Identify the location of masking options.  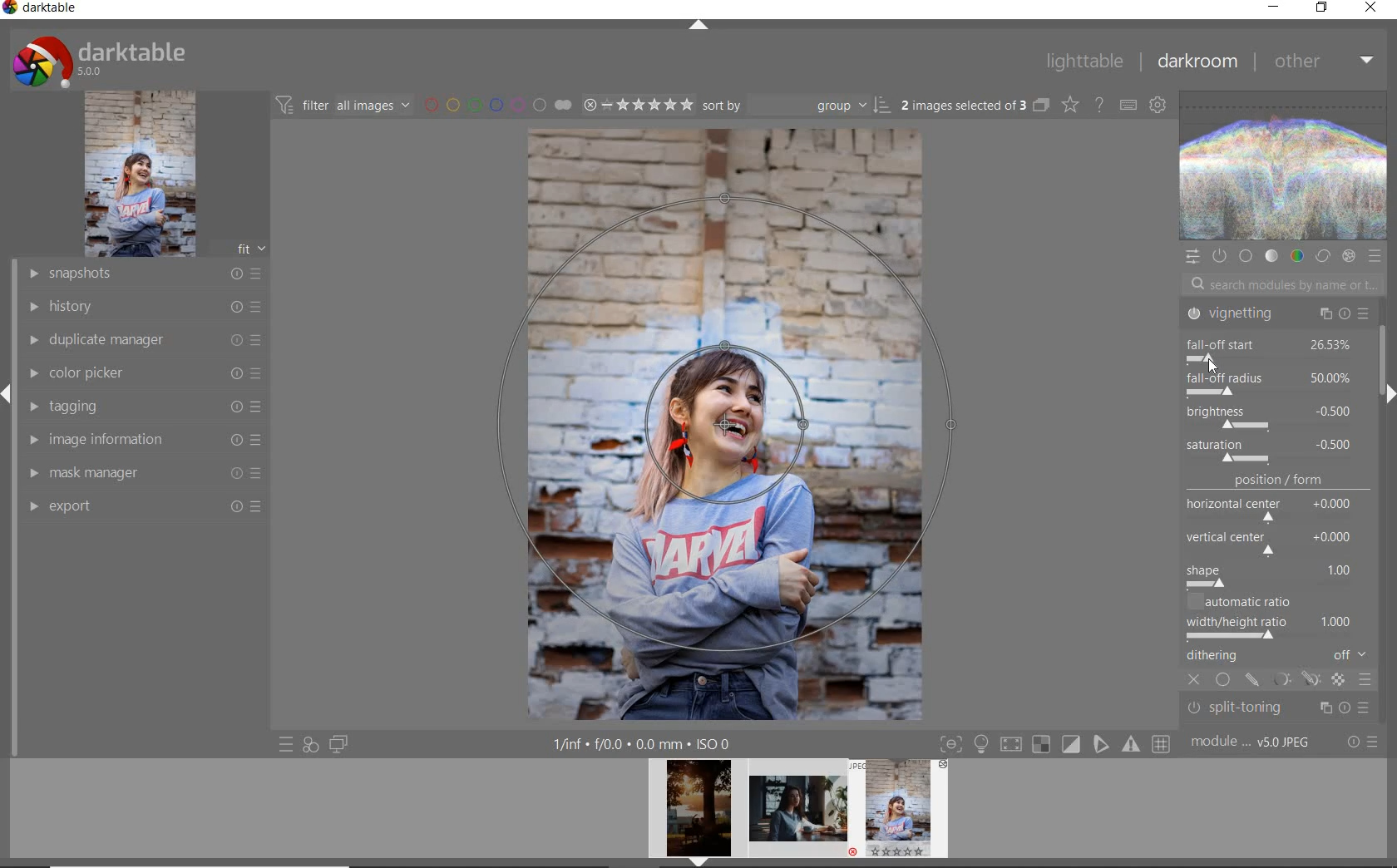
(1295, 682).